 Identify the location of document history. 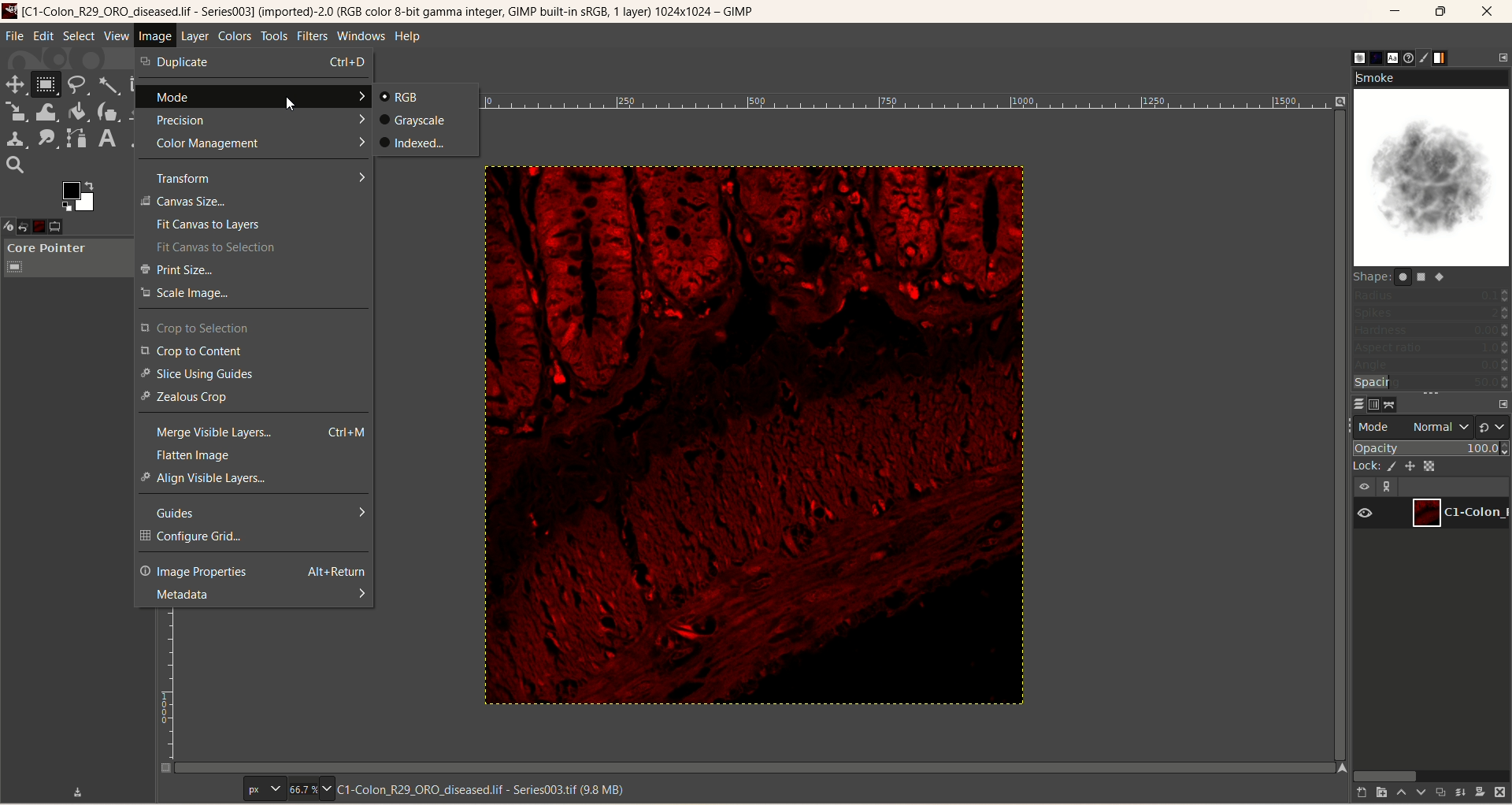
(1404, 57).